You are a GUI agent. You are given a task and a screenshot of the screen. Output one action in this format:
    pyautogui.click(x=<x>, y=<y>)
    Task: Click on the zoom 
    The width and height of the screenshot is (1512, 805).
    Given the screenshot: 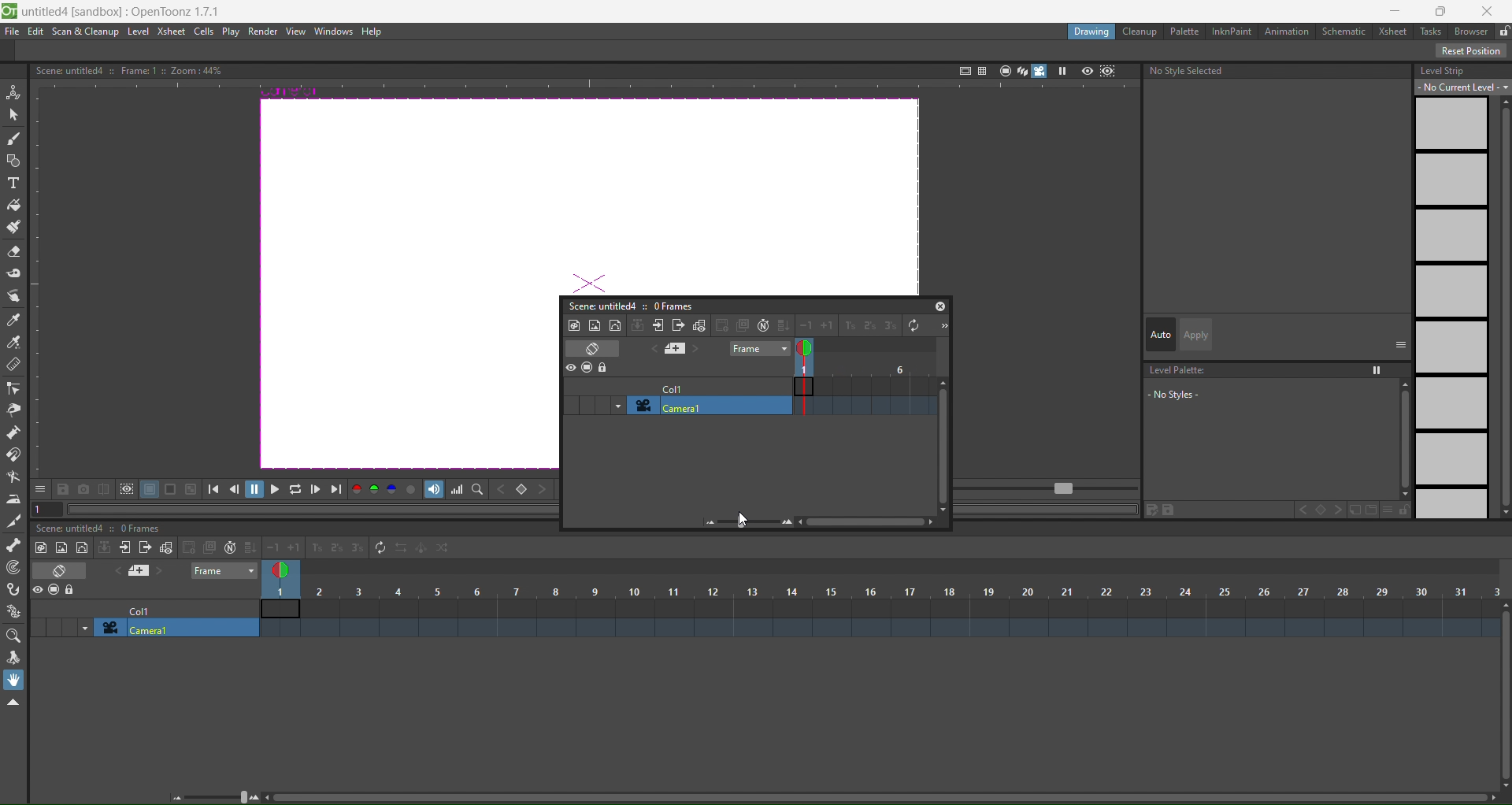 What is the action you would take?
    pyautogui.click(x=217, y=796)
    